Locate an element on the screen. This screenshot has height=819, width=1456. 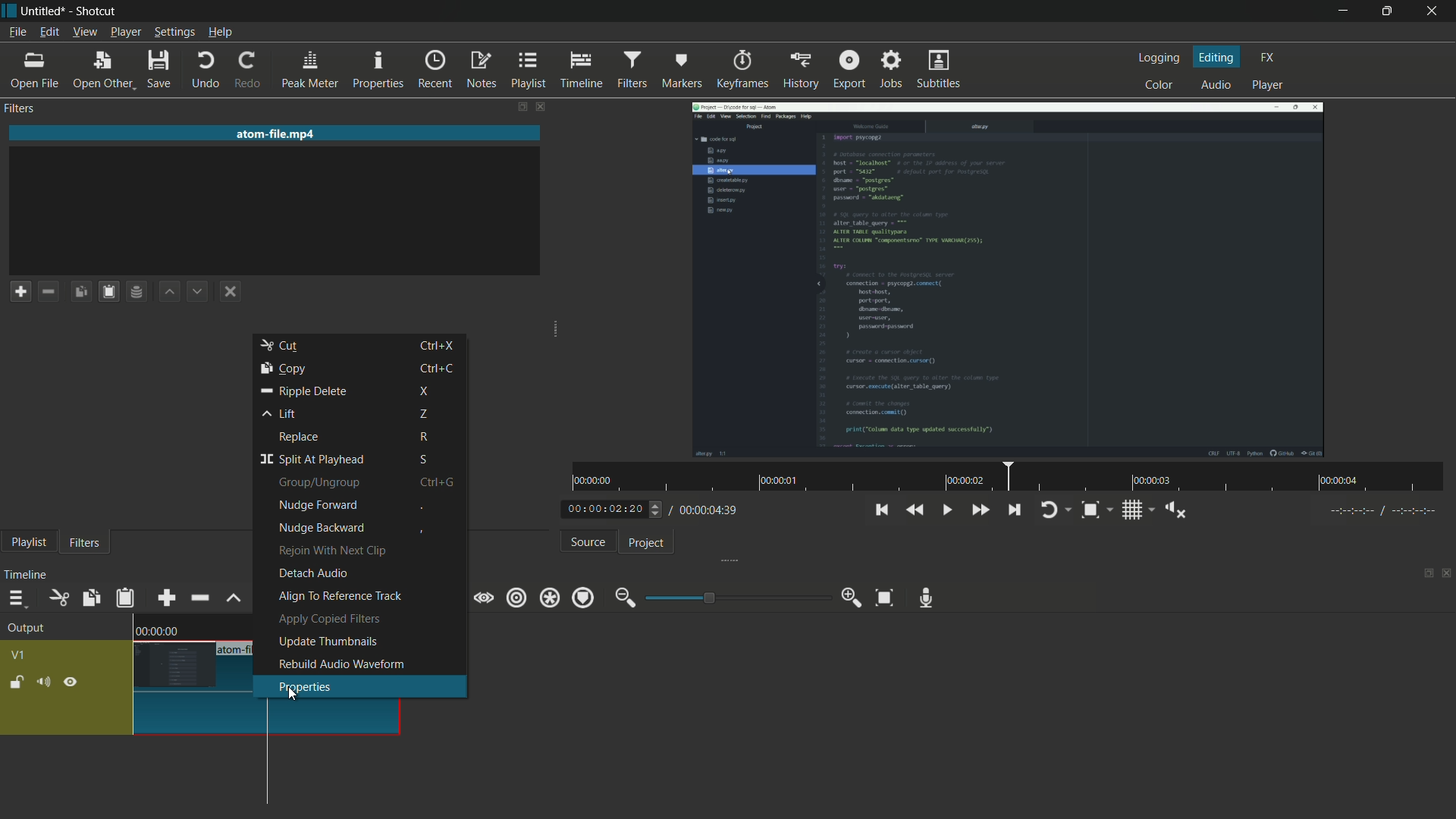
current time is located at coordinates (606, 508).